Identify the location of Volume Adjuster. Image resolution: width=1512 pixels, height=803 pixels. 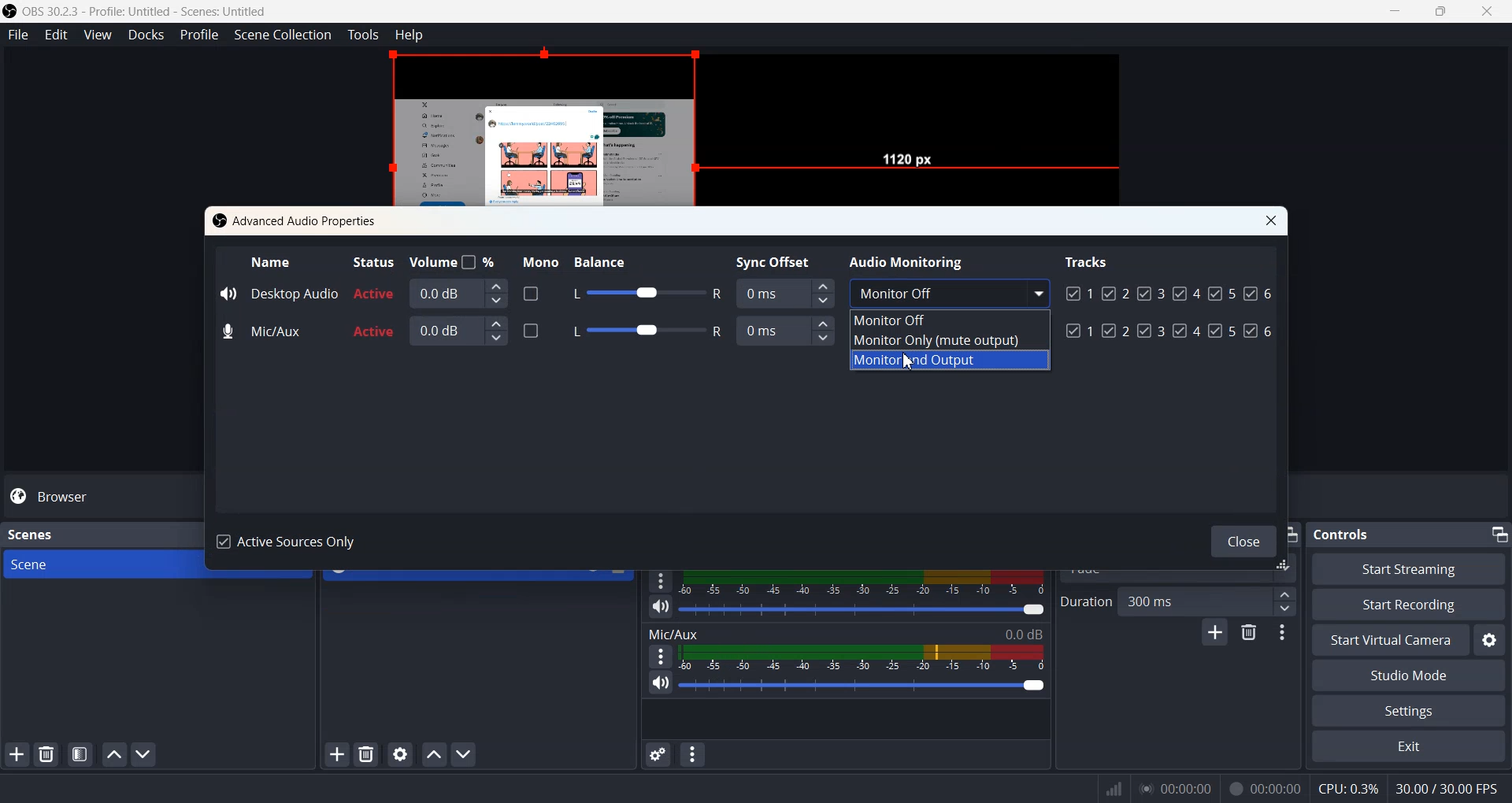
(862, 685).